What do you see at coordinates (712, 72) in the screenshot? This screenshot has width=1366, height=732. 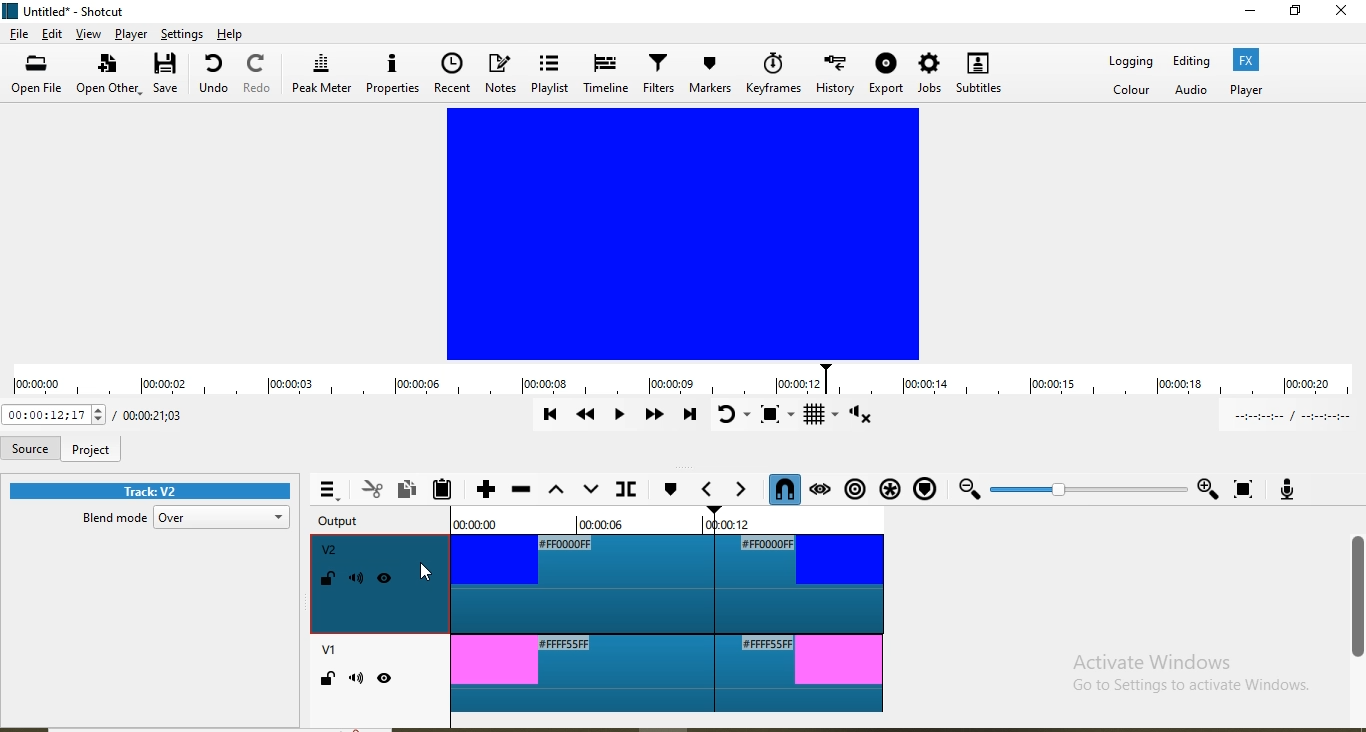 I see `Markers` at bounding box center [712, 72].